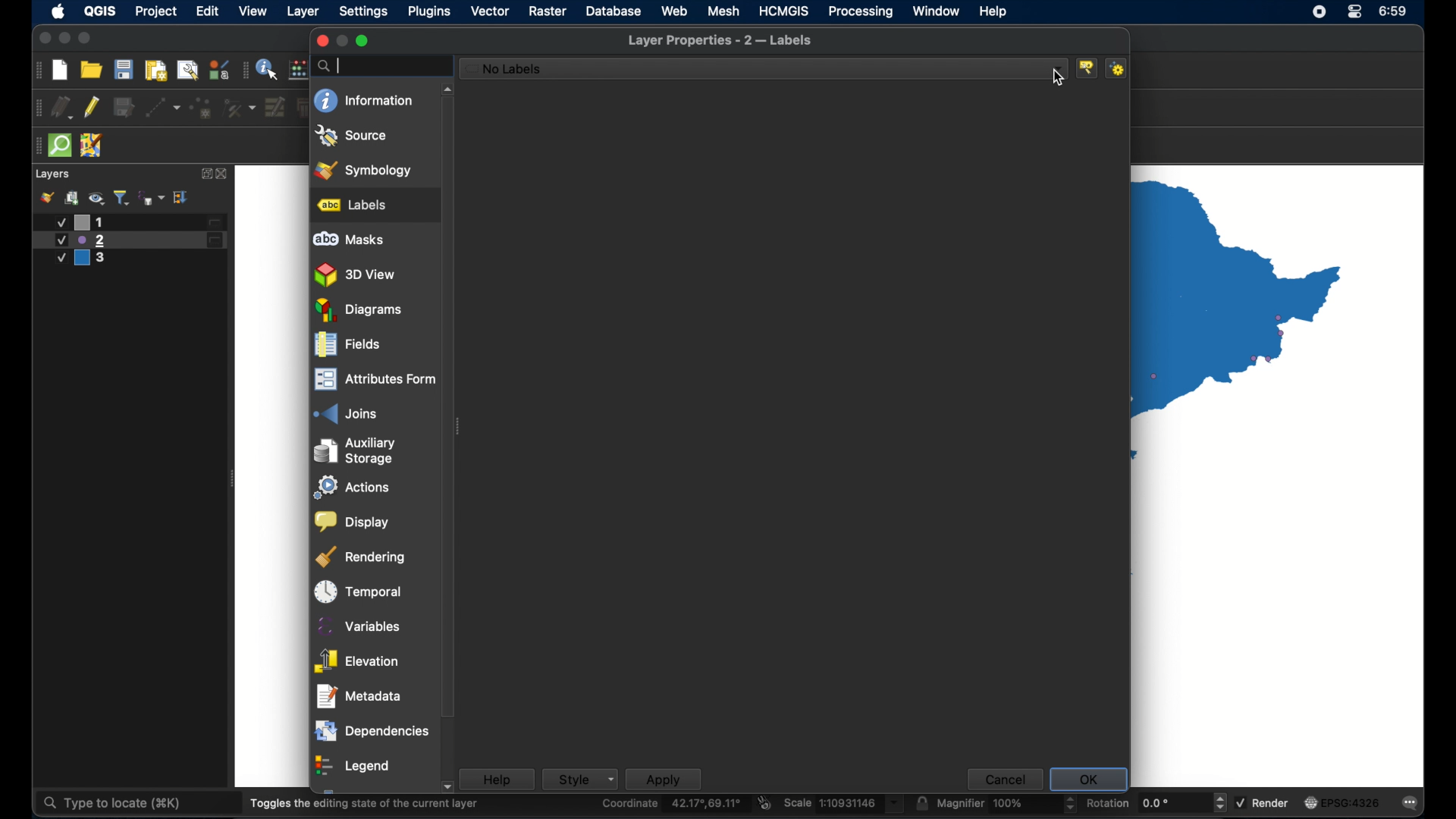 This screenshot has width=1456, height=819. What do you see at coordinates (136, 222) in the screenshot?
I see `layer 1` at bounding box center [136, 222].